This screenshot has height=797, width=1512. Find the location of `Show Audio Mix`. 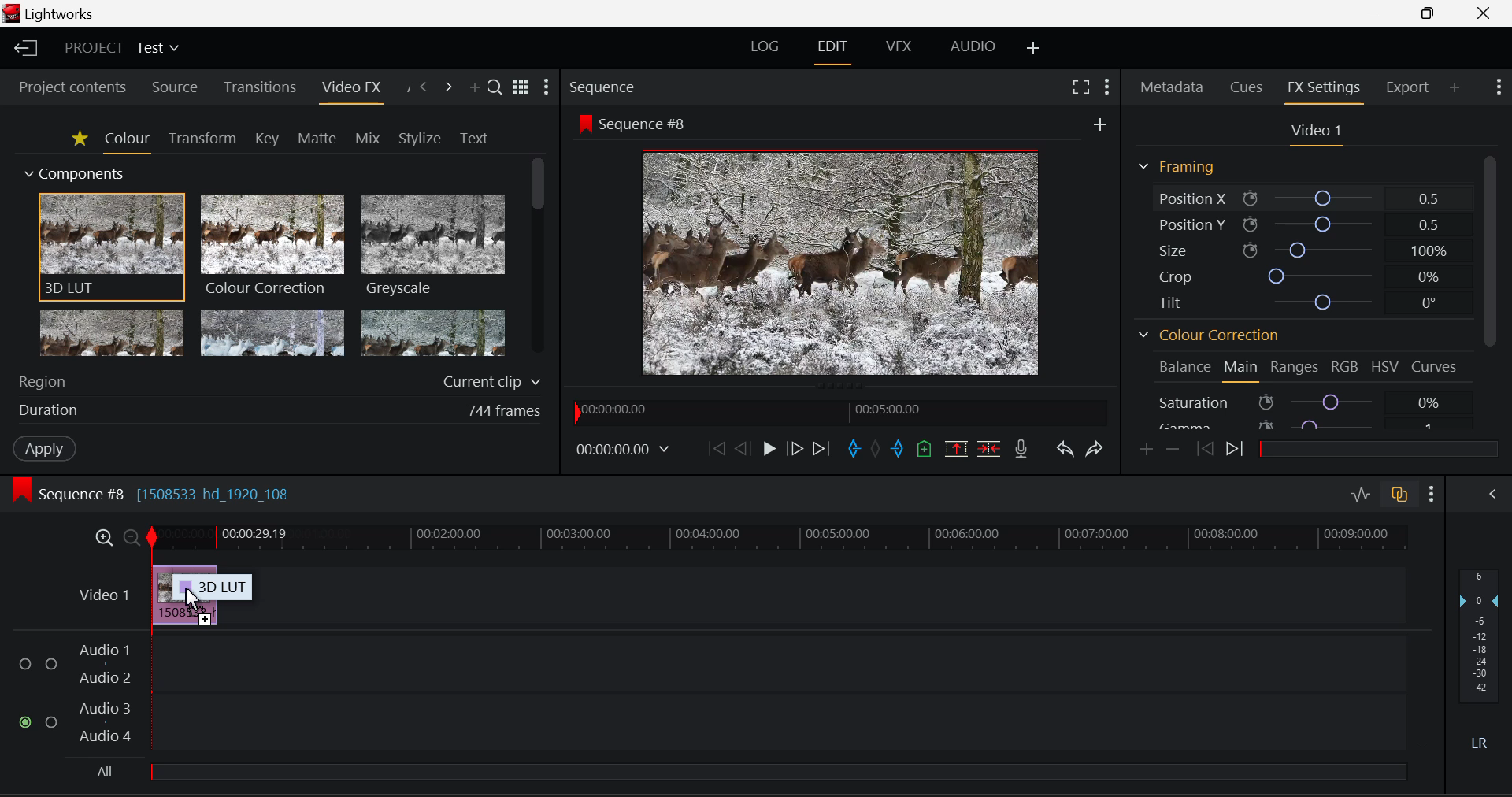

Show Audio Mix is located at coordinates (1488, 492).